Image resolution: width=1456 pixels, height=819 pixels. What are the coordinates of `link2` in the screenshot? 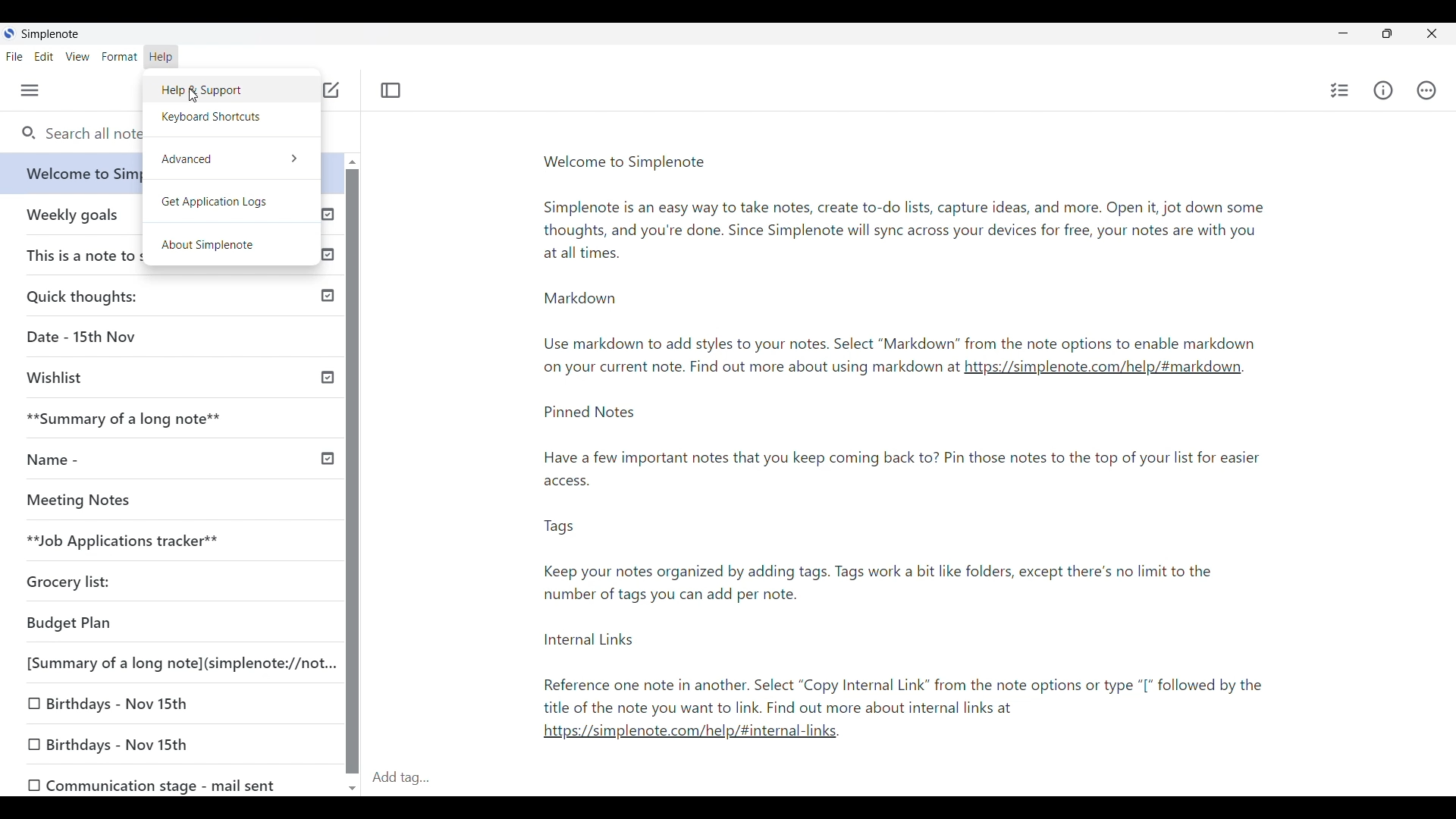 It's located at (712, 731).